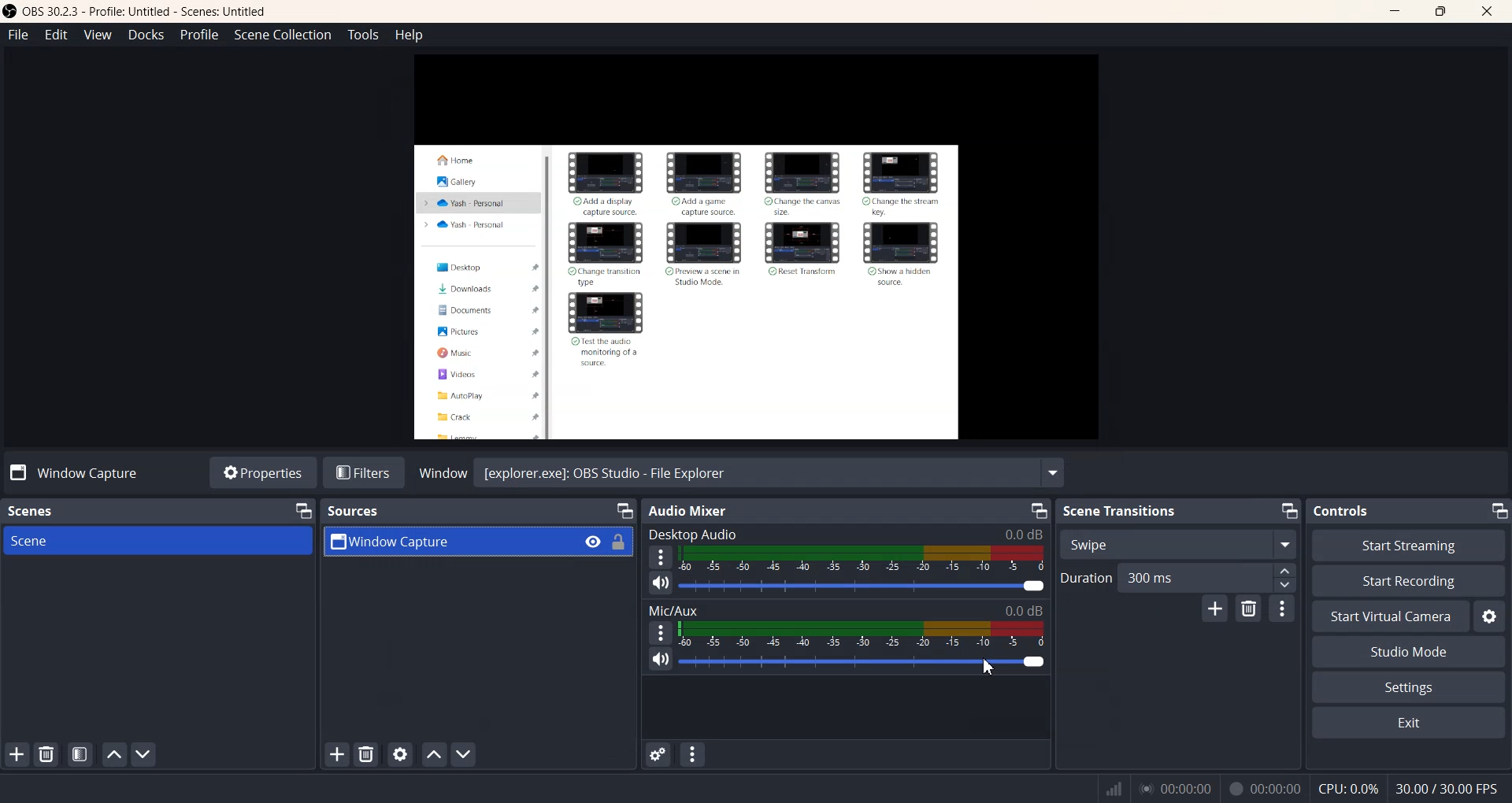  I want to click on Desktop Audio 0.0 dB, so click(846, 534).